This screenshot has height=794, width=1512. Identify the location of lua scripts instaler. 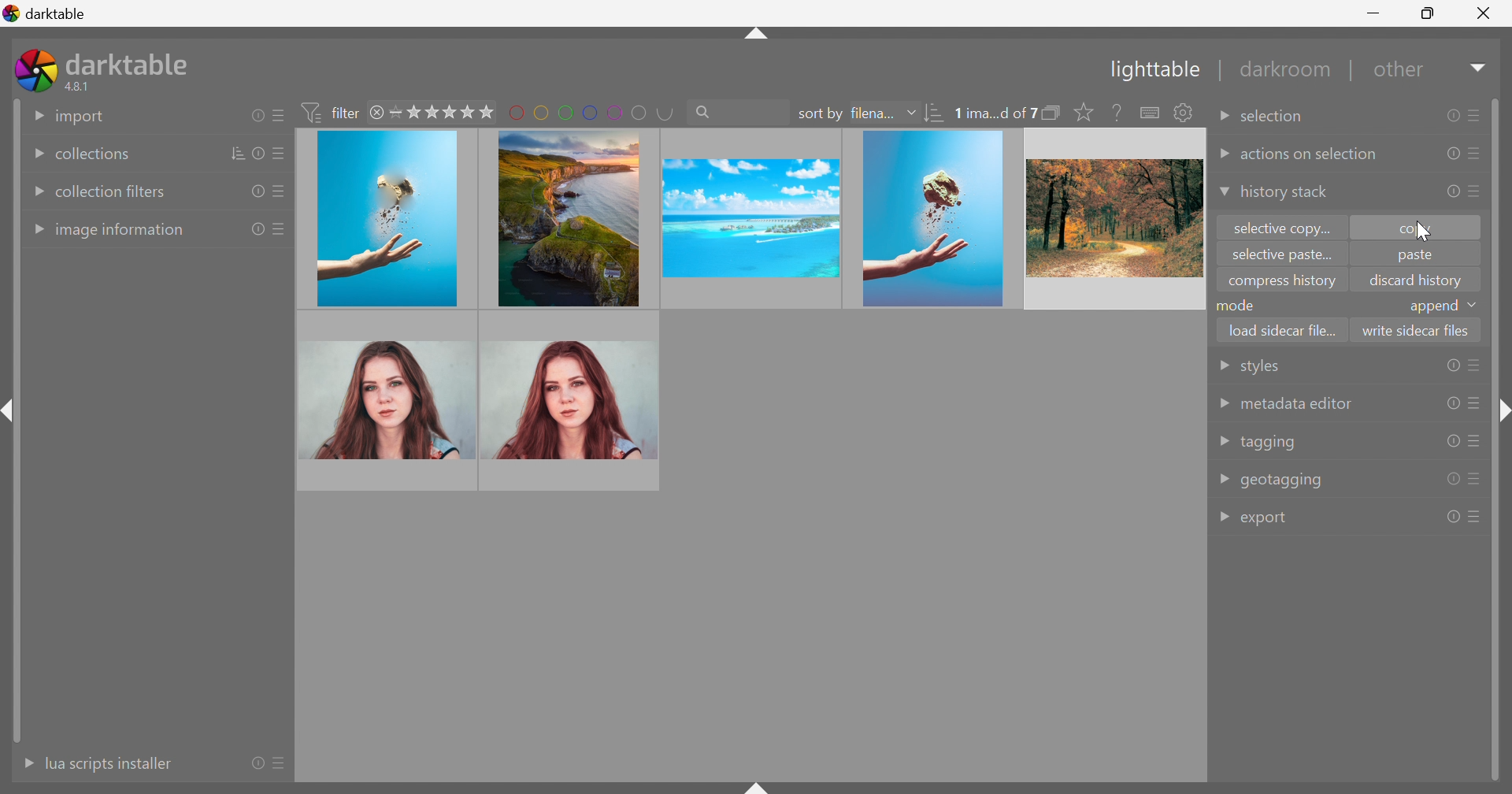
(108, 763).